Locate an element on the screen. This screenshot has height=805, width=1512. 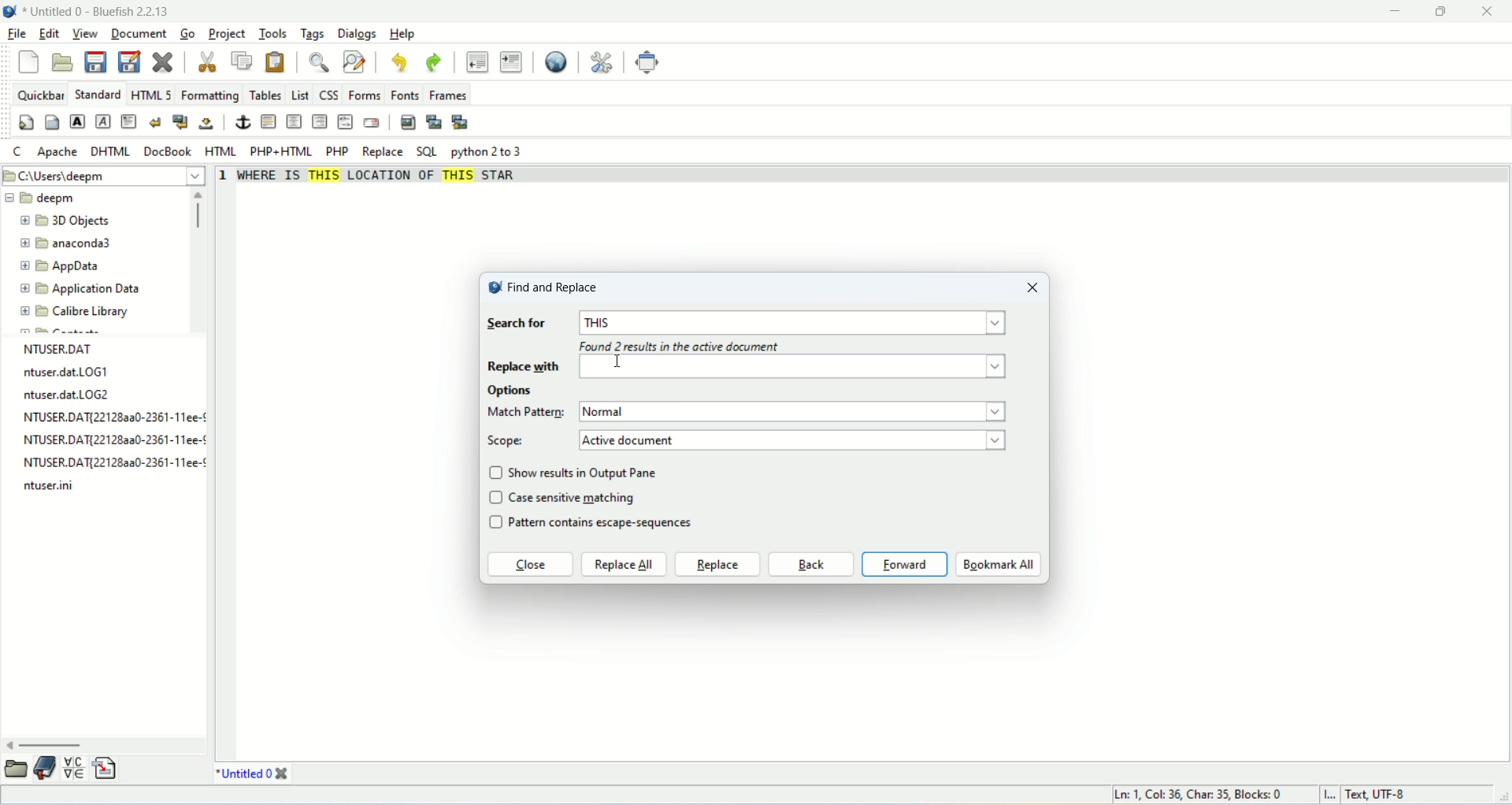
find and replace is located at coordinates (354, 61).